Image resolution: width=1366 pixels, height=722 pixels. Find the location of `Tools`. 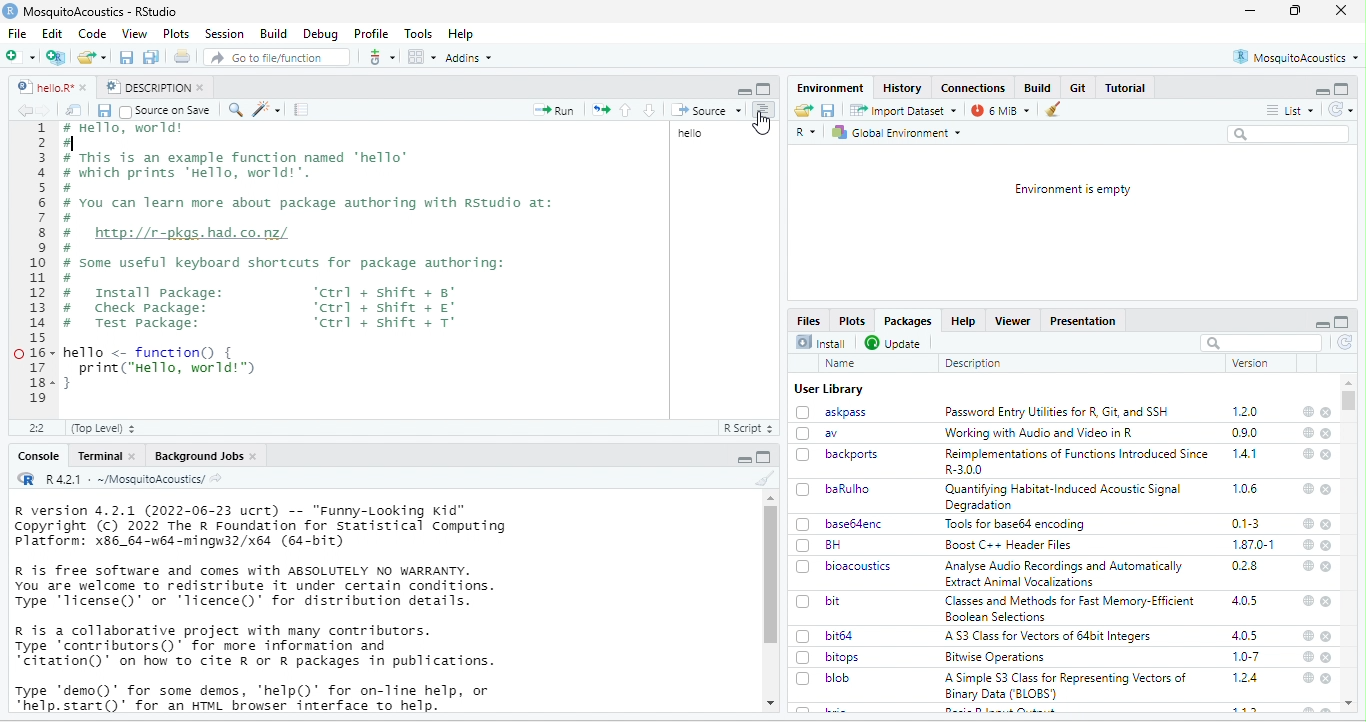

Tools is located at coordinates (419, 34).